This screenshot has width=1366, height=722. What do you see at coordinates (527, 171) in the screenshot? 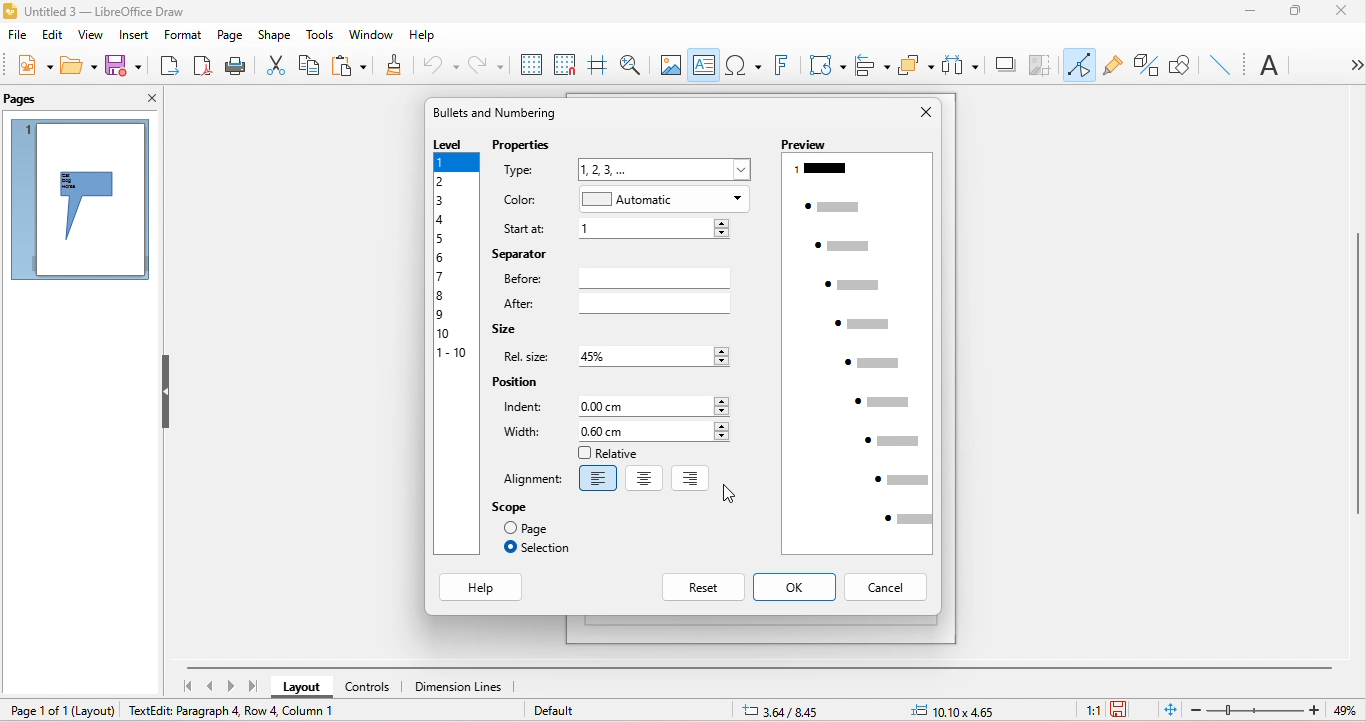
I see `type` at bounding box center [527, 171].